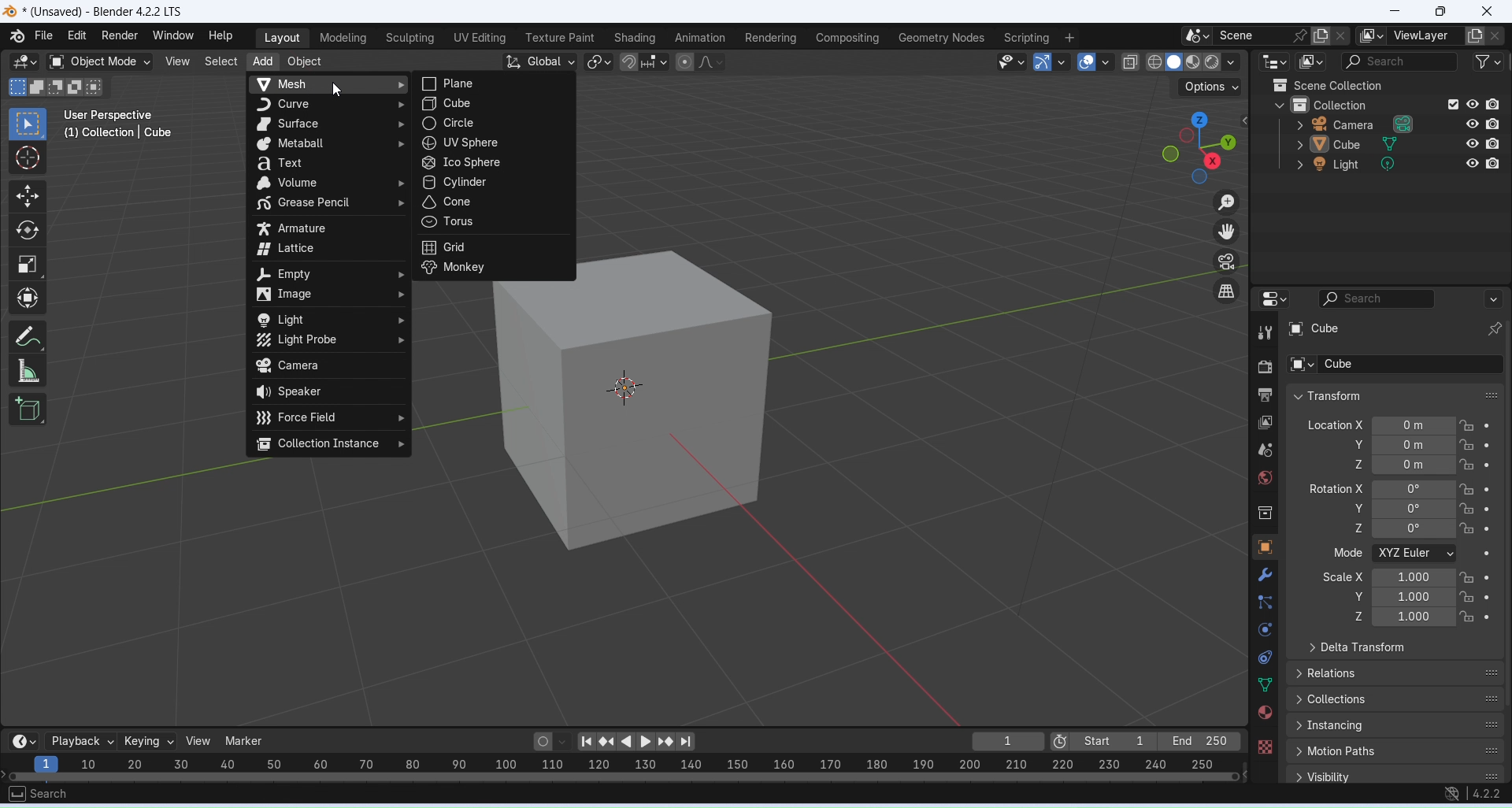 Image resolution: width=1512 pixels, height=808 pixels. What do you see at coordinates (1476, 38) in the screenshot?
I see `add layer` at bounding box center [1476, 38].